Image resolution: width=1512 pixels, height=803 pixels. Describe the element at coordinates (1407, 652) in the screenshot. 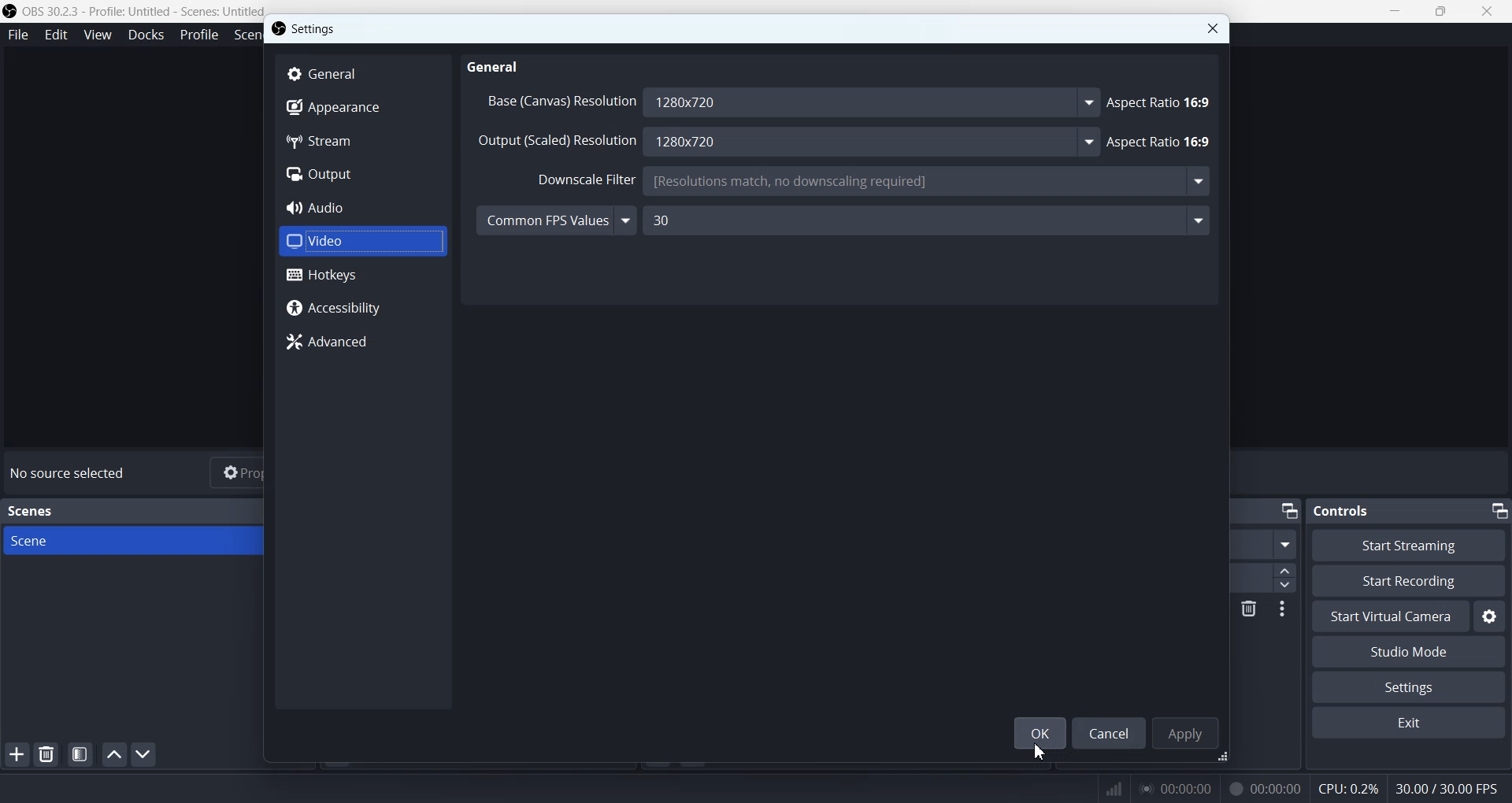

I see `Studio Mode` at that location.